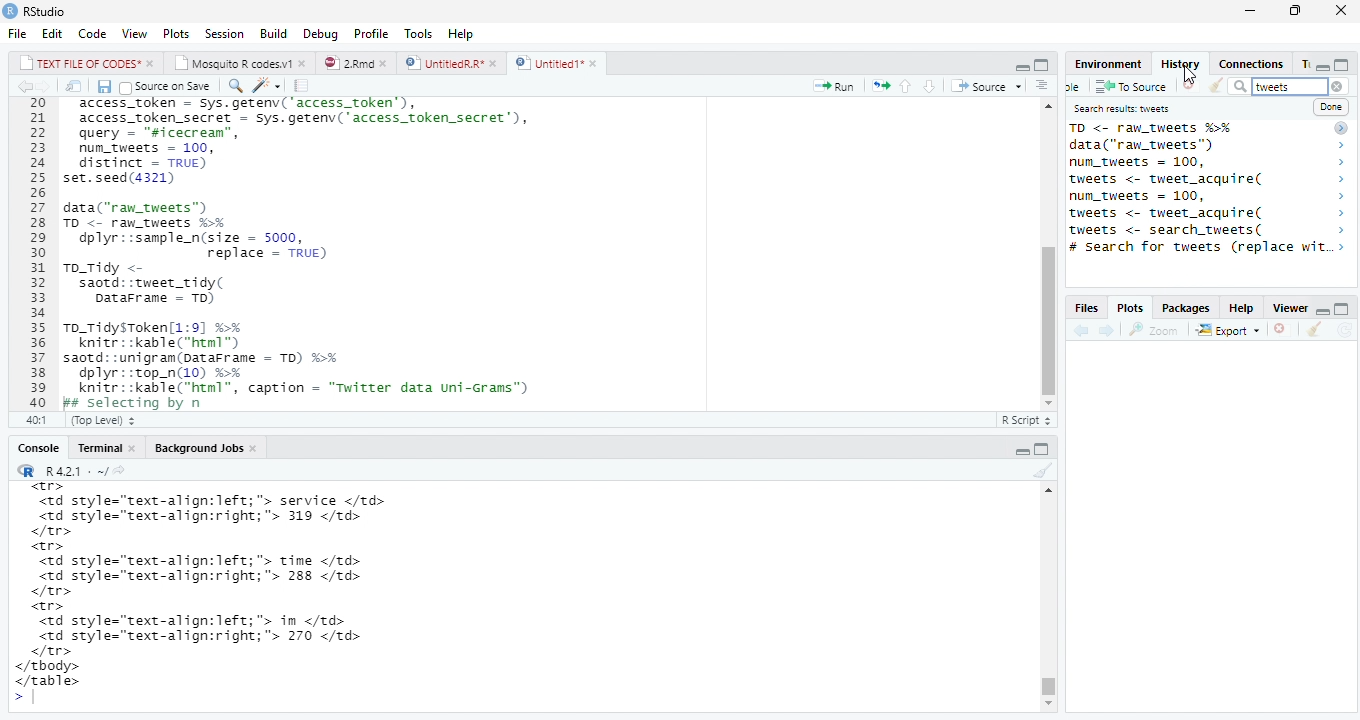 This screenshot has height=720, width=1360. I want to click on Plots, so click(176, 32).